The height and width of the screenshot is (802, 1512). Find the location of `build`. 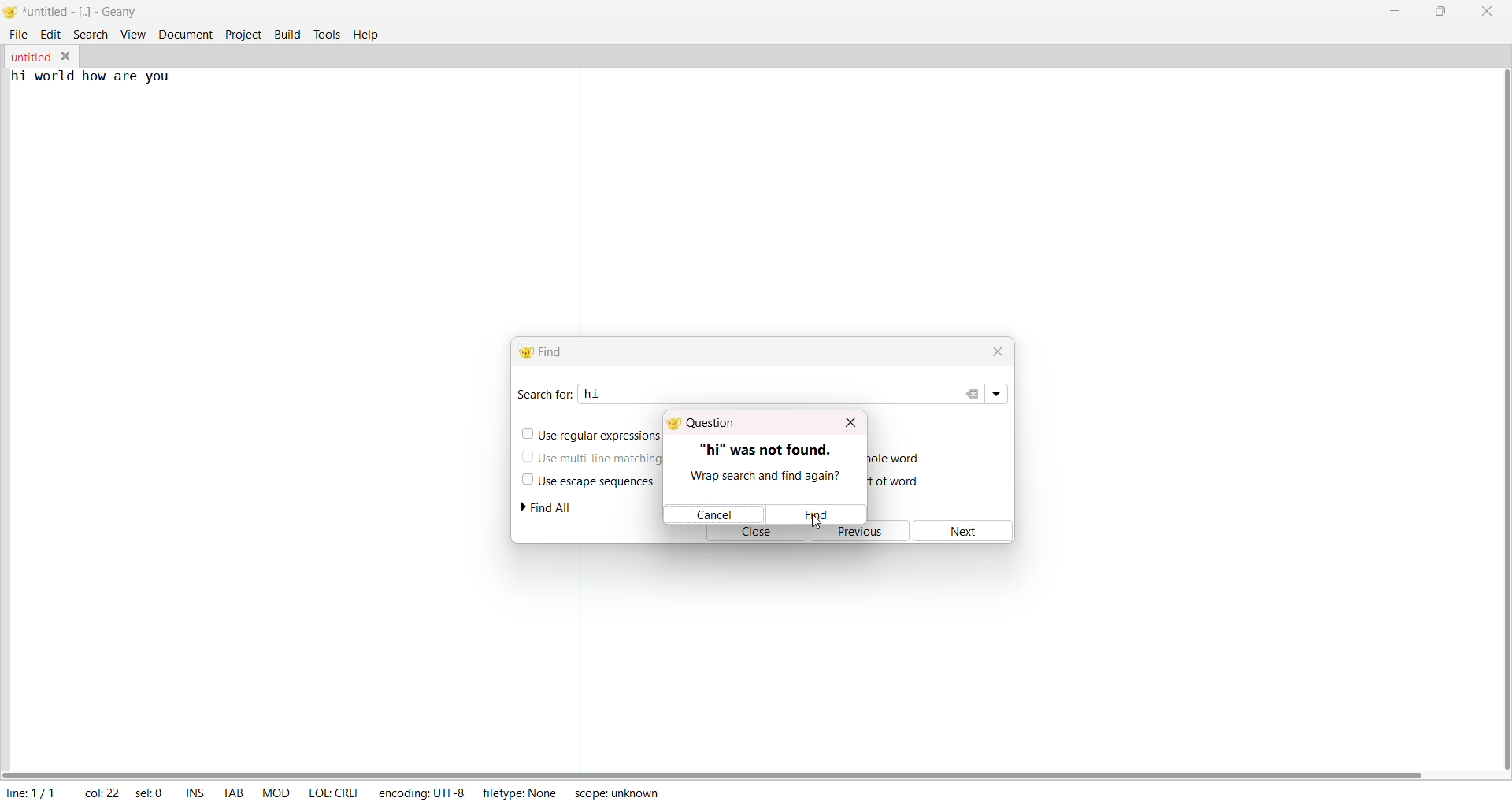

build is located at coordinates (286, 33).